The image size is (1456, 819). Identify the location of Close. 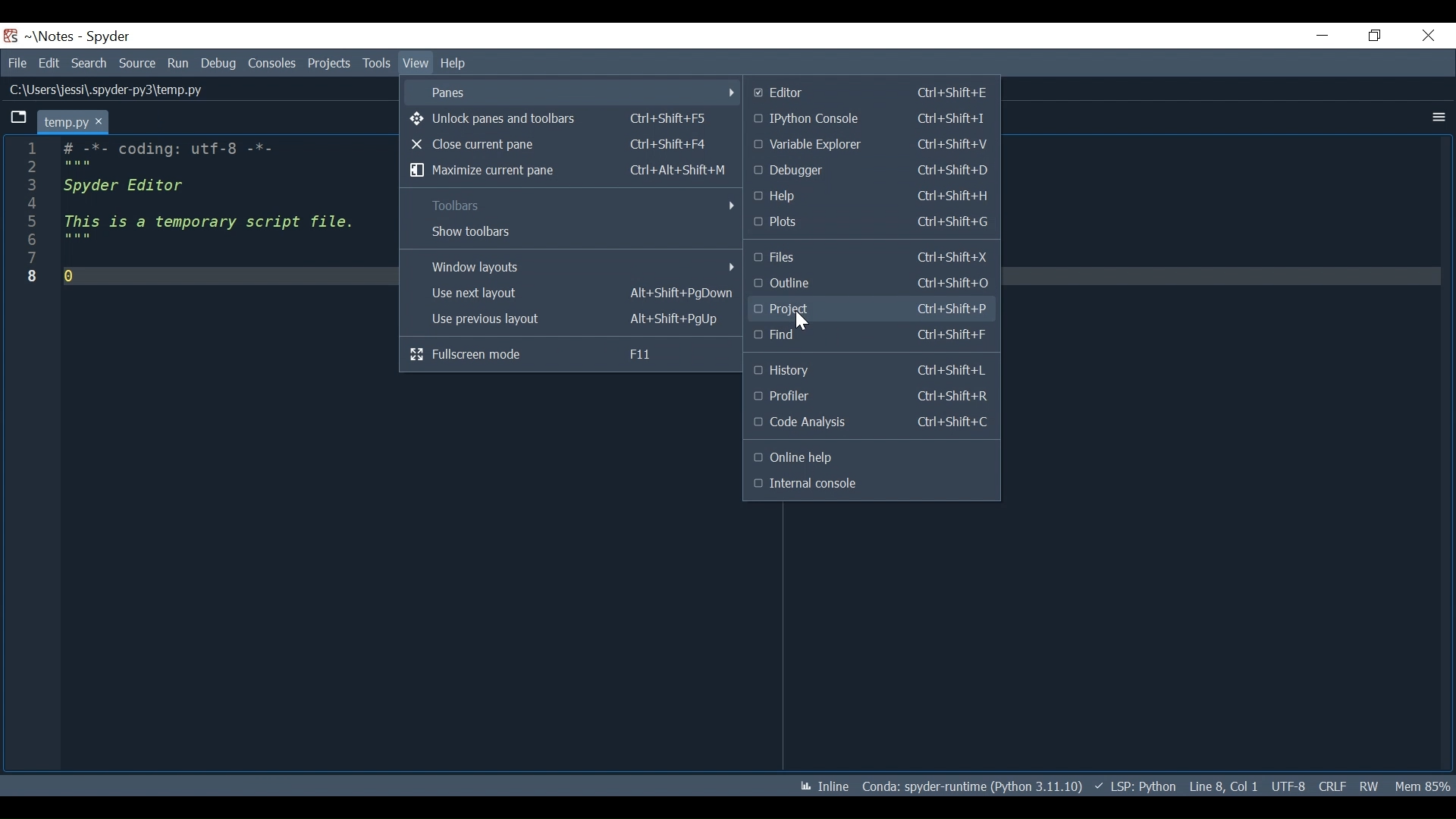
(1427, 36).